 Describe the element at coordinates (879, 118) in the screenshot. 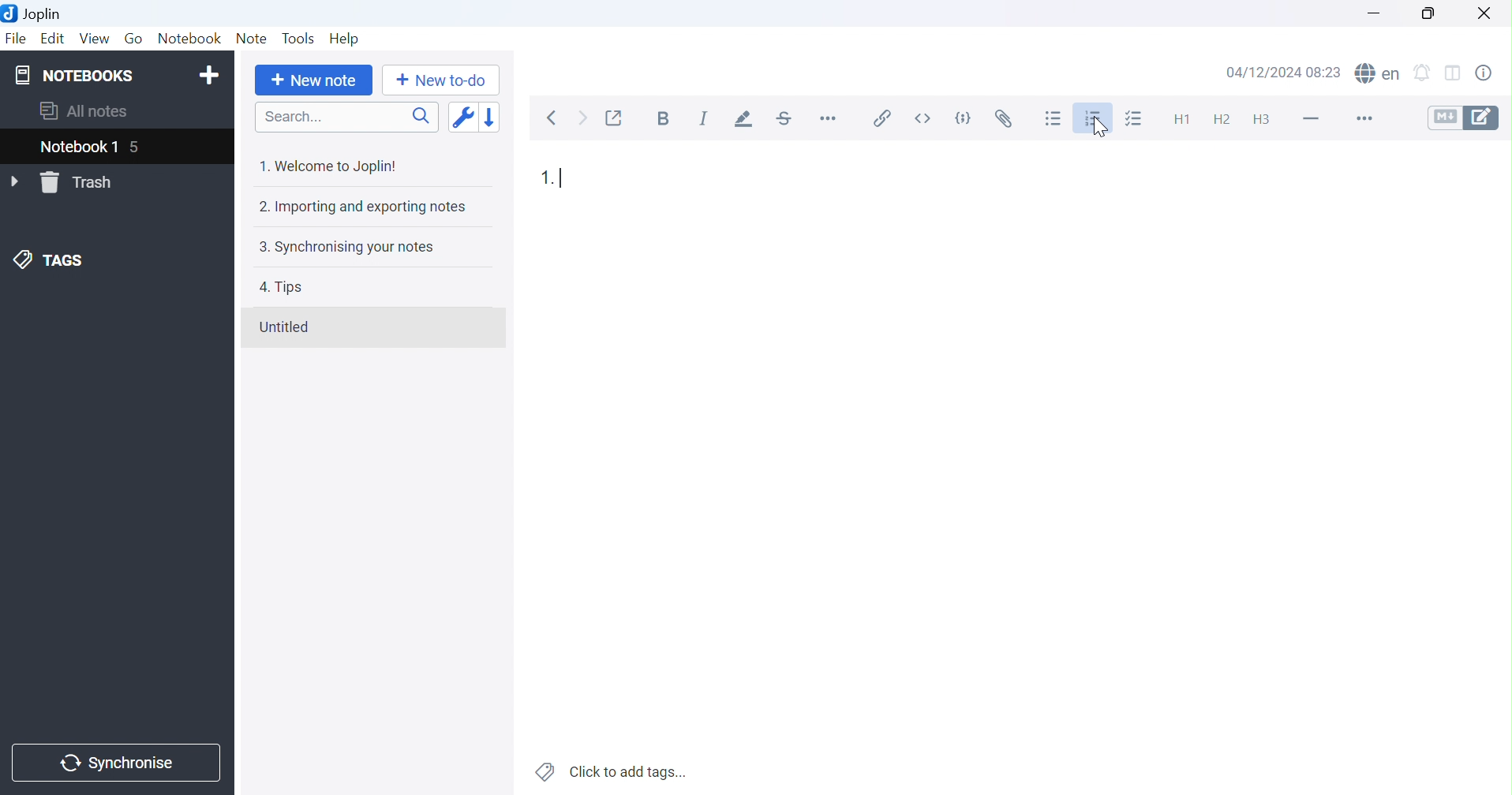

I see `Insert / edit link` at that location.